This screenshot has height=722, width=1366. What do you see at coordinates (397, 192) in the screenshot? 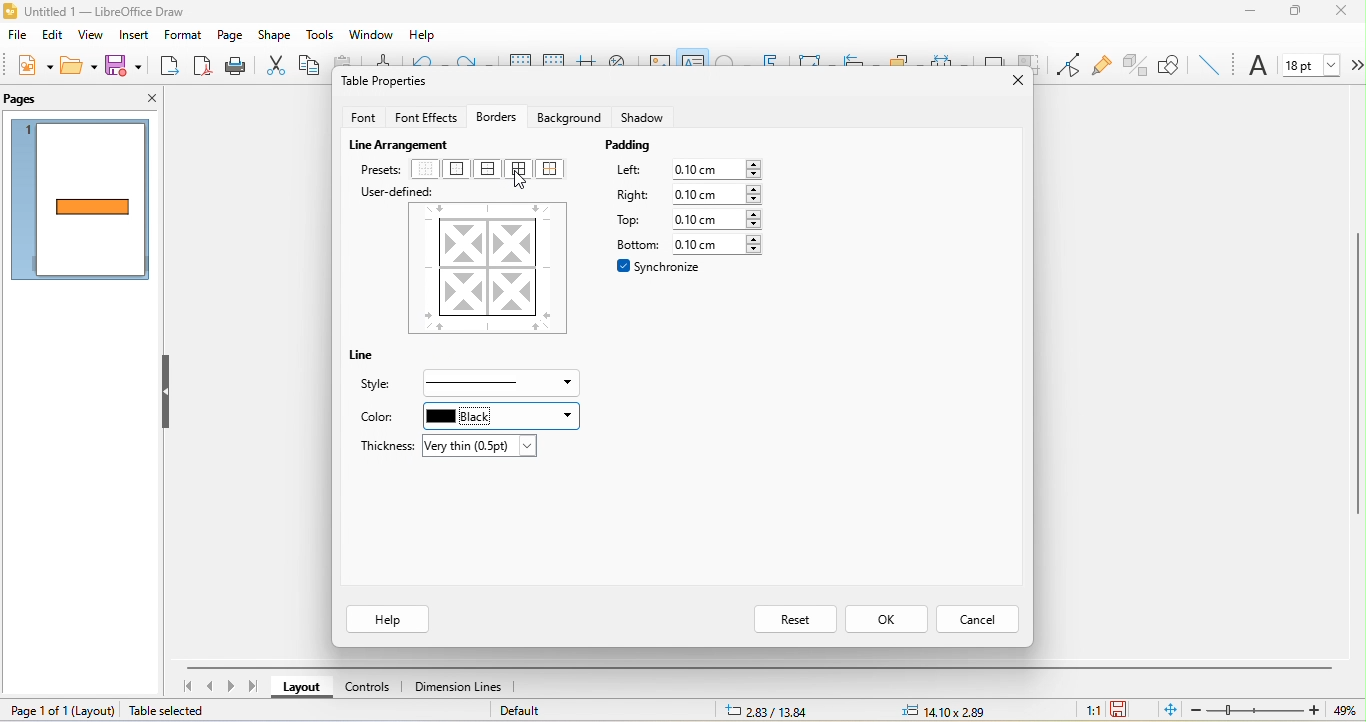
I see `User defined` at bounding box center [397, 192].